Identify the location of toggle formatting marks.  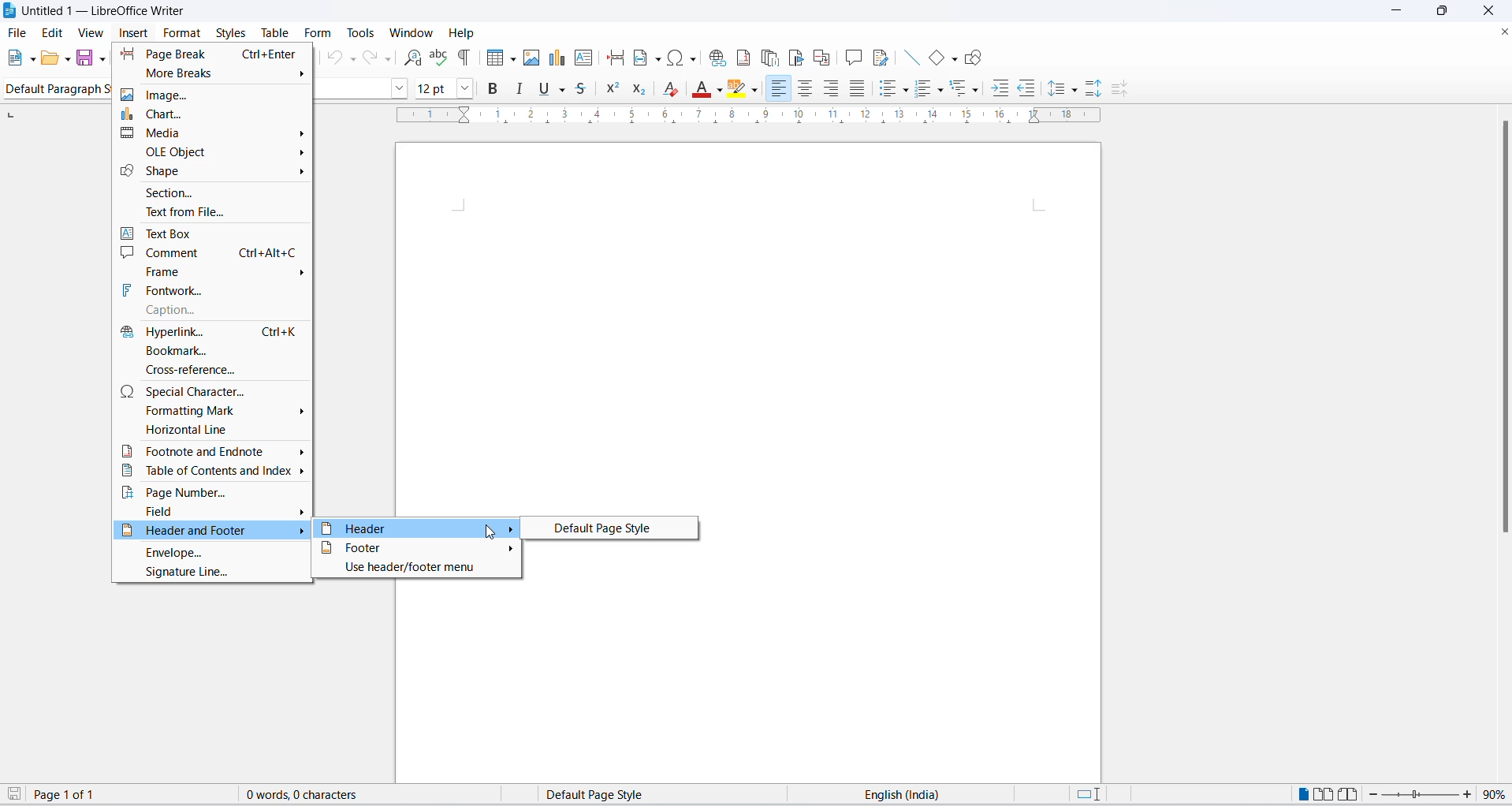
(465, 57).